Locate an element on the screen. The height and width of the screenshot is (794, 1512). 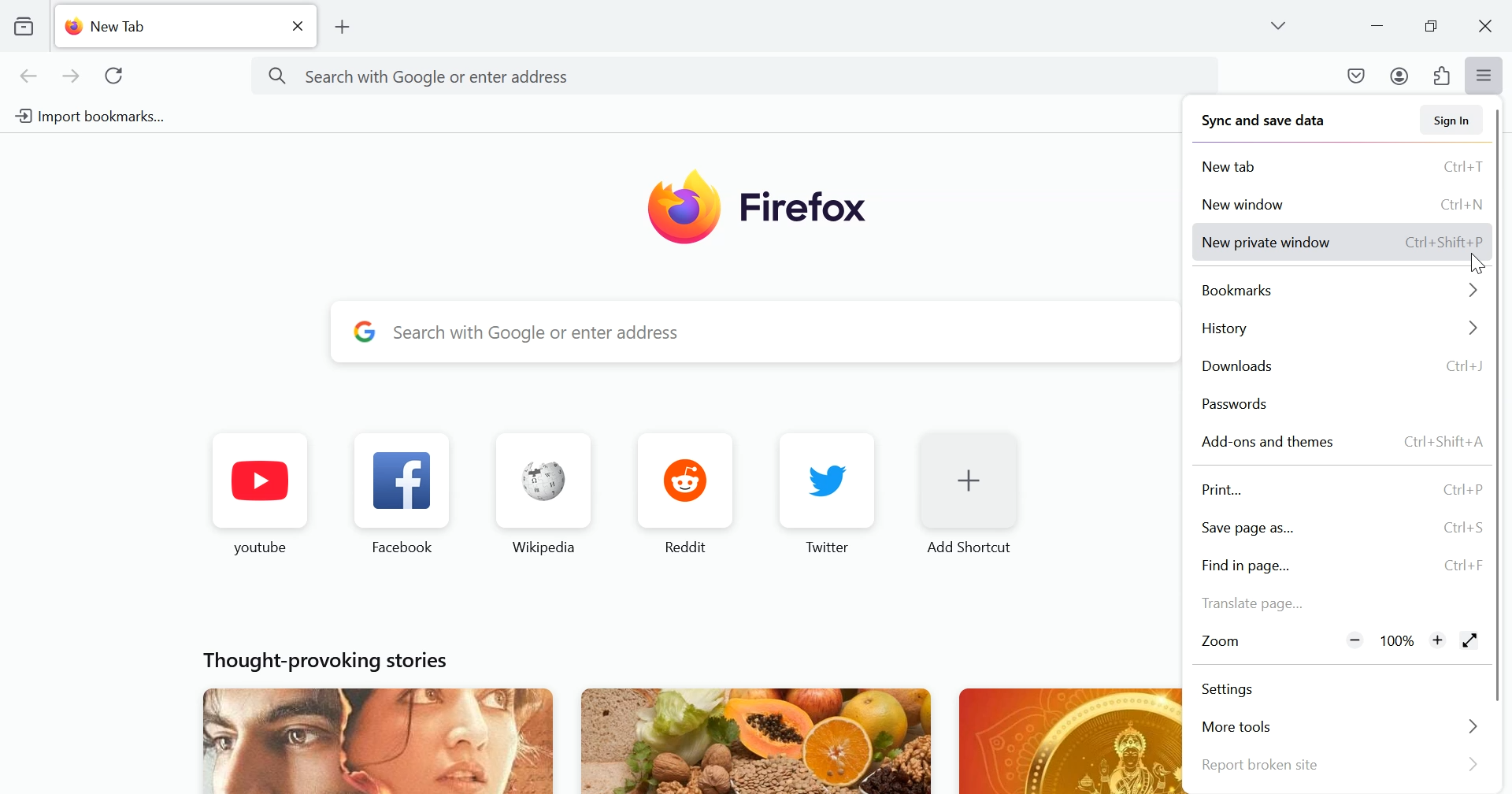
translate page is located at coordinates (1340, 599).